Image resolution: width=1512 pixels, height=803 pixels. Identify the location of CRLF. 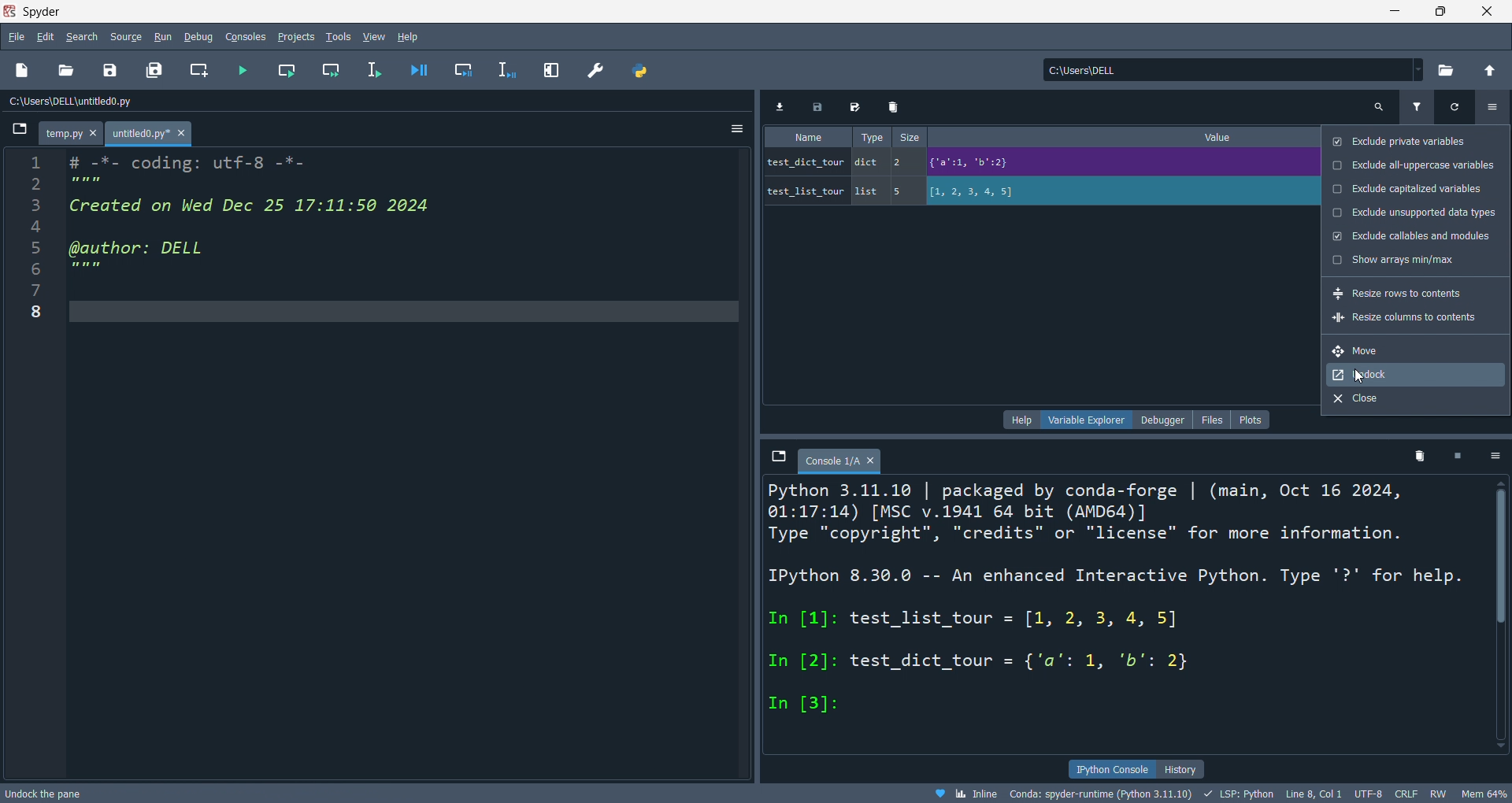
(1407, 794).